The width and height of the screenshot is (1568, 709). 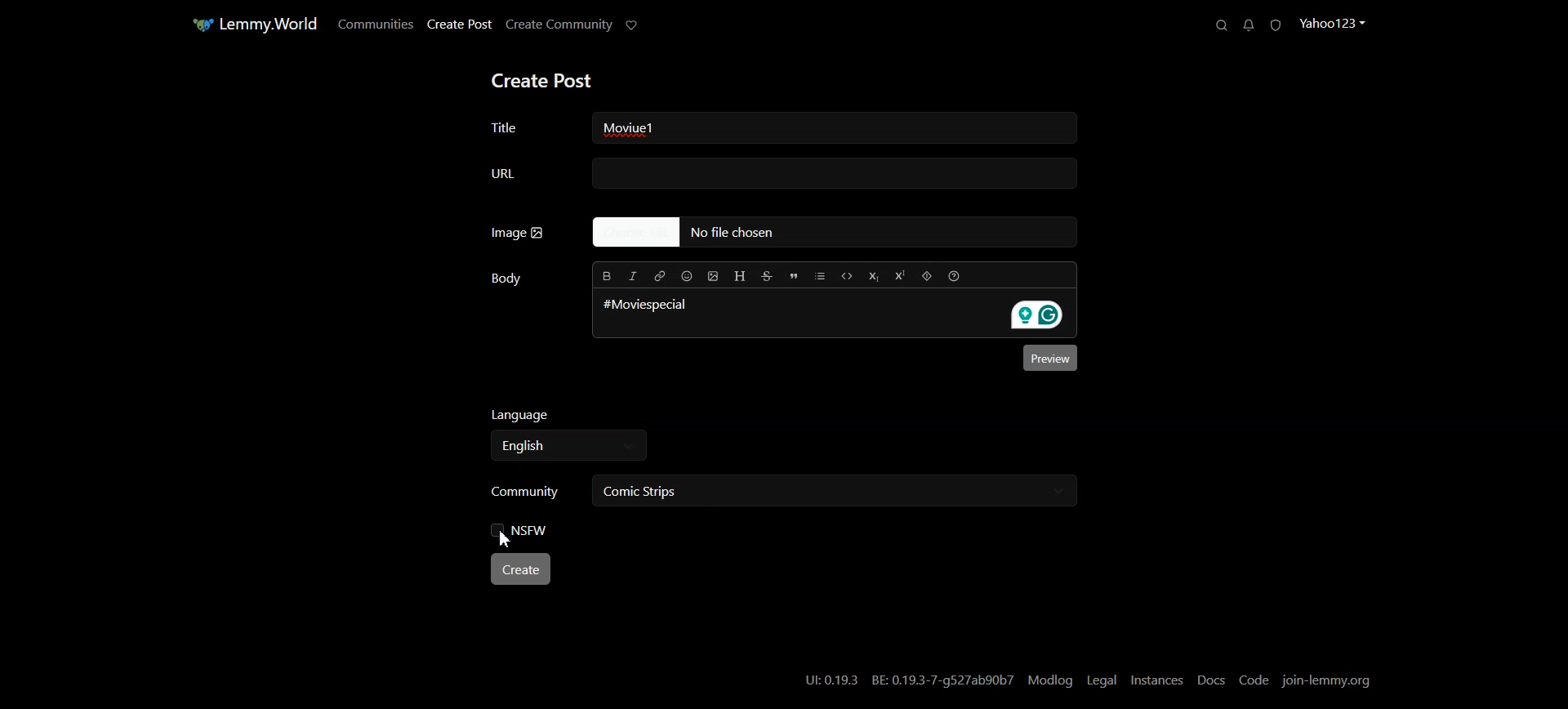 I want to click on Cursor, so click(x=505, y=538).